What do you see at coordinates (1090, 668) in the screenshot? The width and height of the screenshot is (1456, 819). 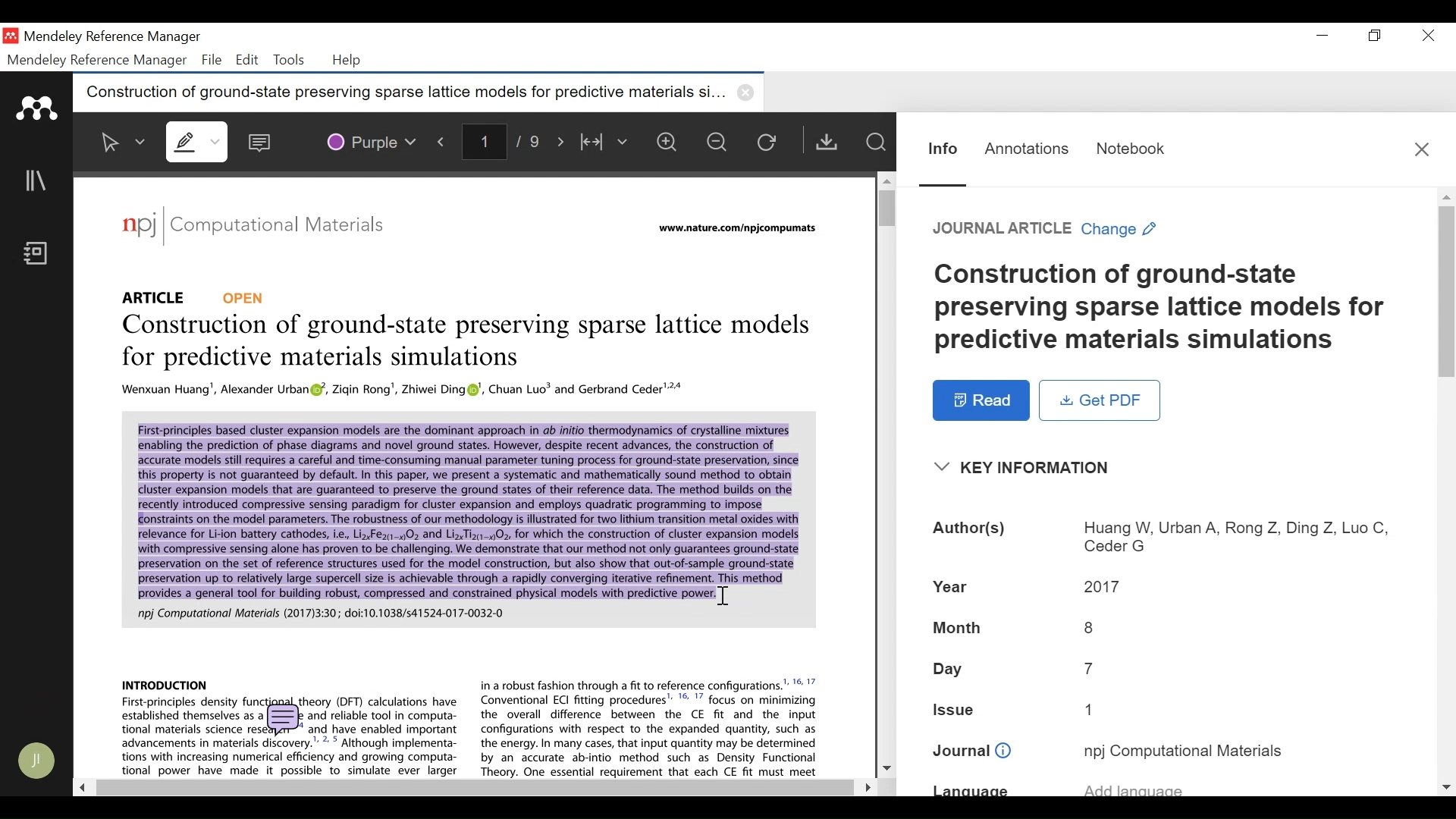 I see `Day` at bounding box center [1090, 668].